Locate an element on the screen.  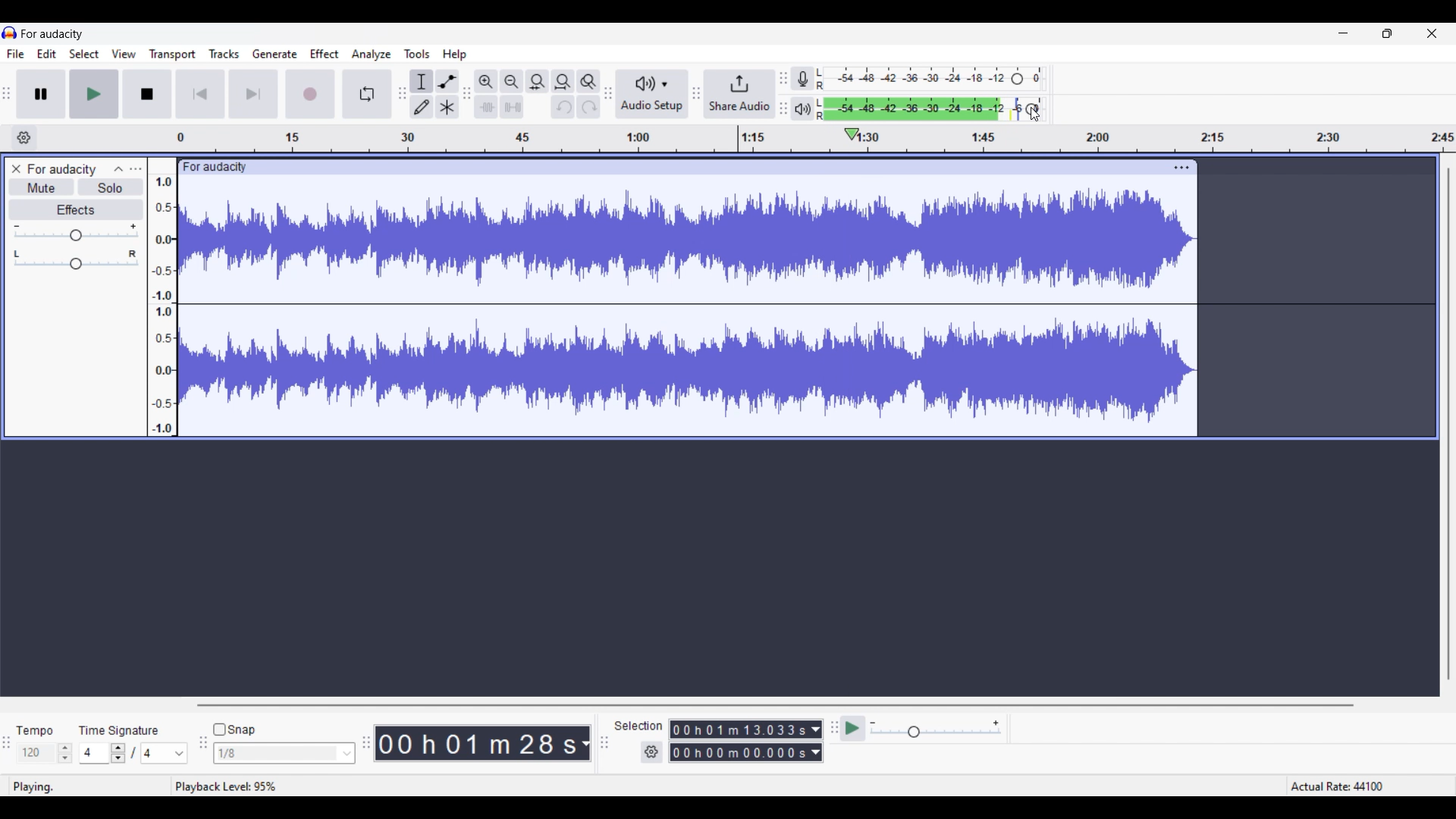
Indicates selection duration settings is located at coordinates (639, 725).